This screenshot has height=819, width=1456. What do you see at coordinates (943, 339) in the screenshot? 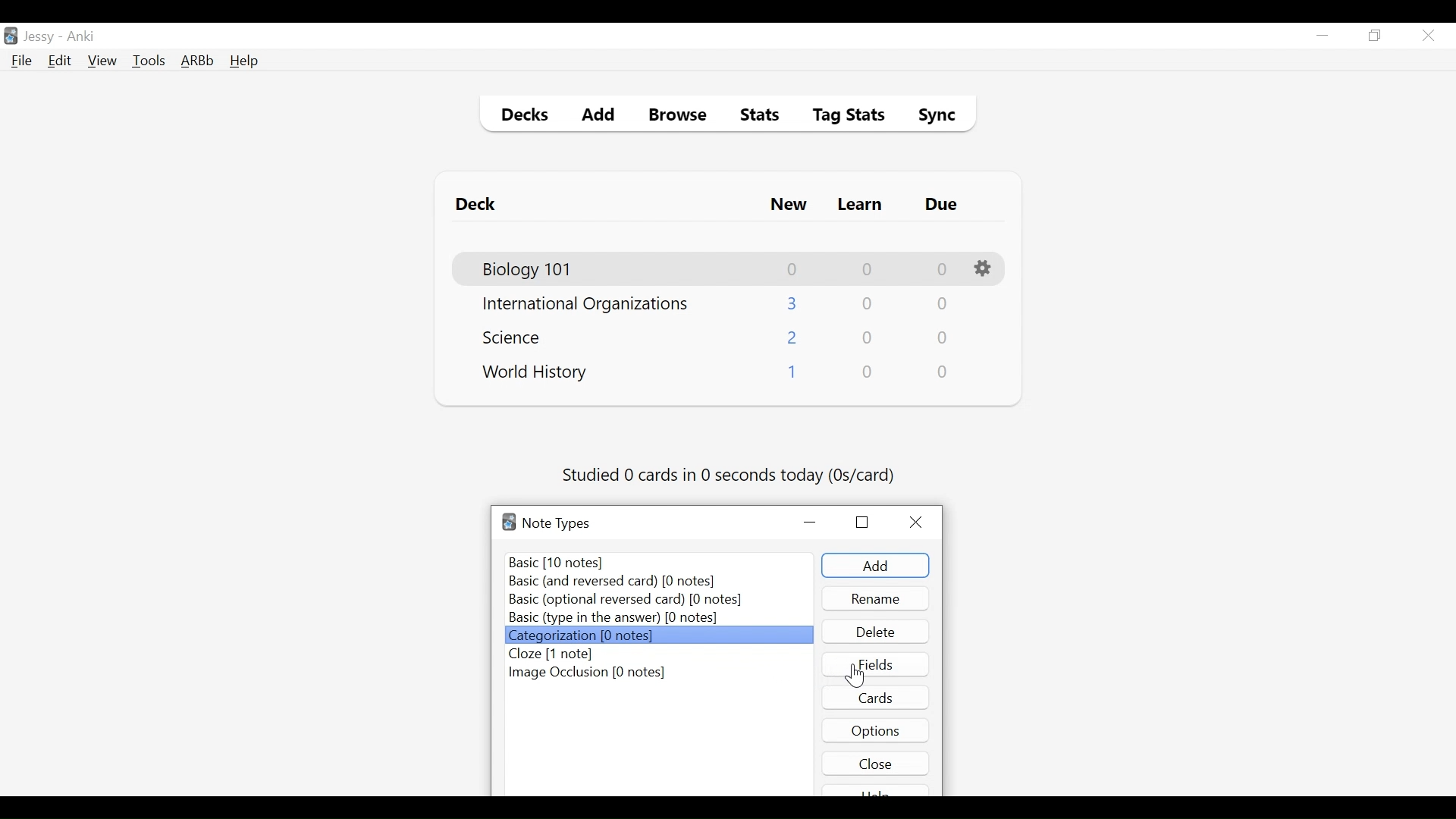
I see `Due Card Count` at bounding box center [943, 339].